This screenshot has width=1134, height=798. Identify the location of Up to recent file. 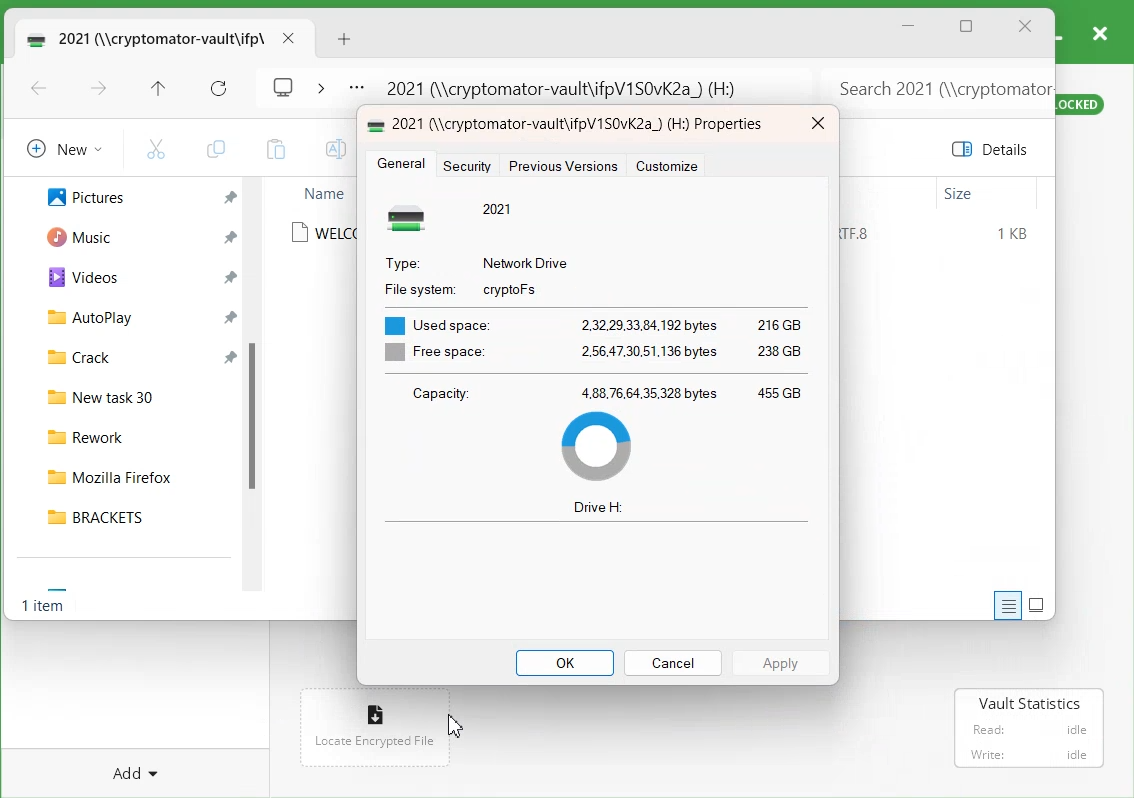
(158, 90).